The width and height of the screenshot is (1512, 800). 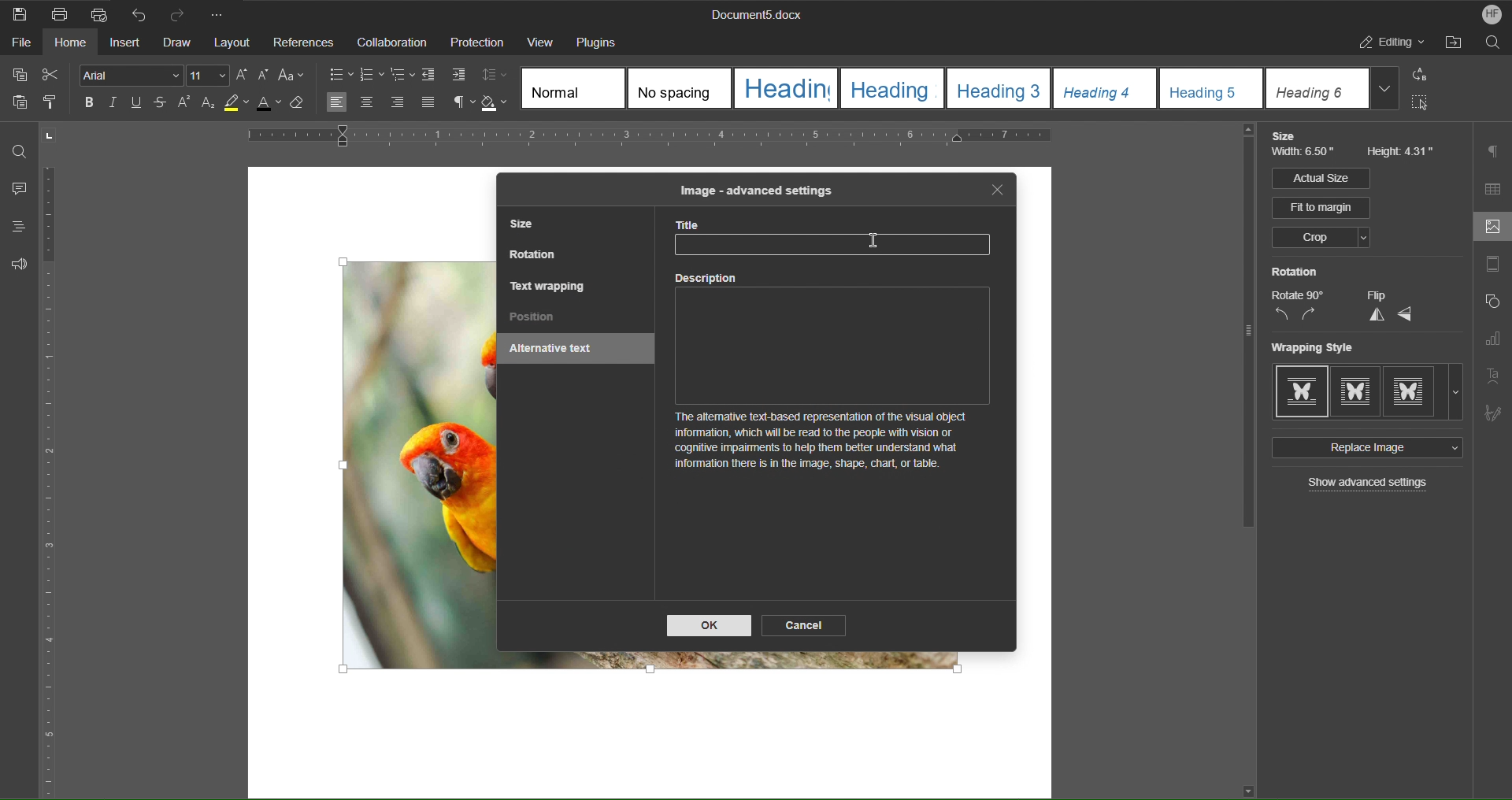 What do you see at coordinates (1493, 45) in the screenshot?
I see `Search` at bounding box center [1493, 45].